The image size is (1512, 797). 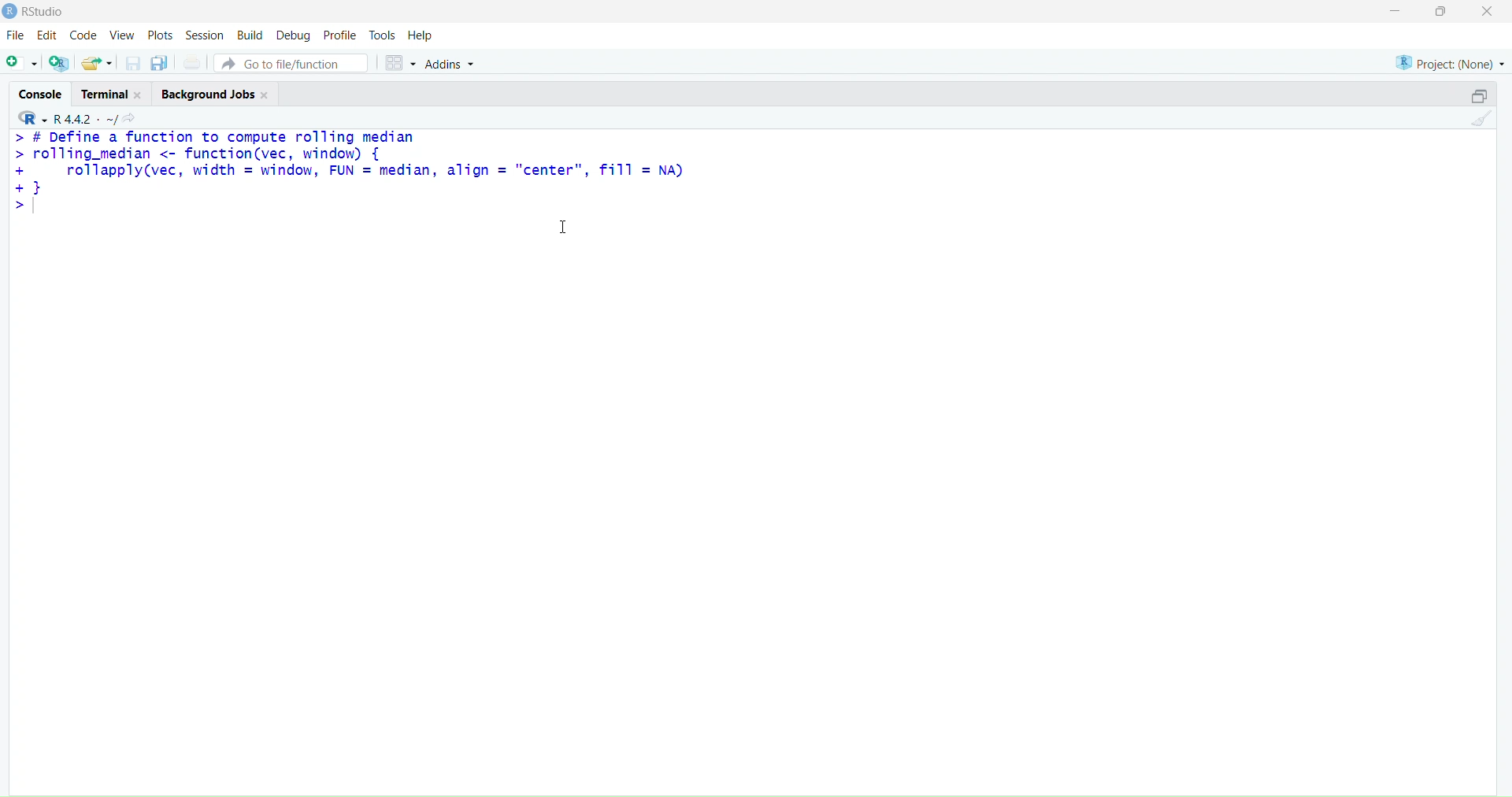 What do you see at coordinates (14, 34) in the screenshot?
I see `file` at bounding box center [14, 34].